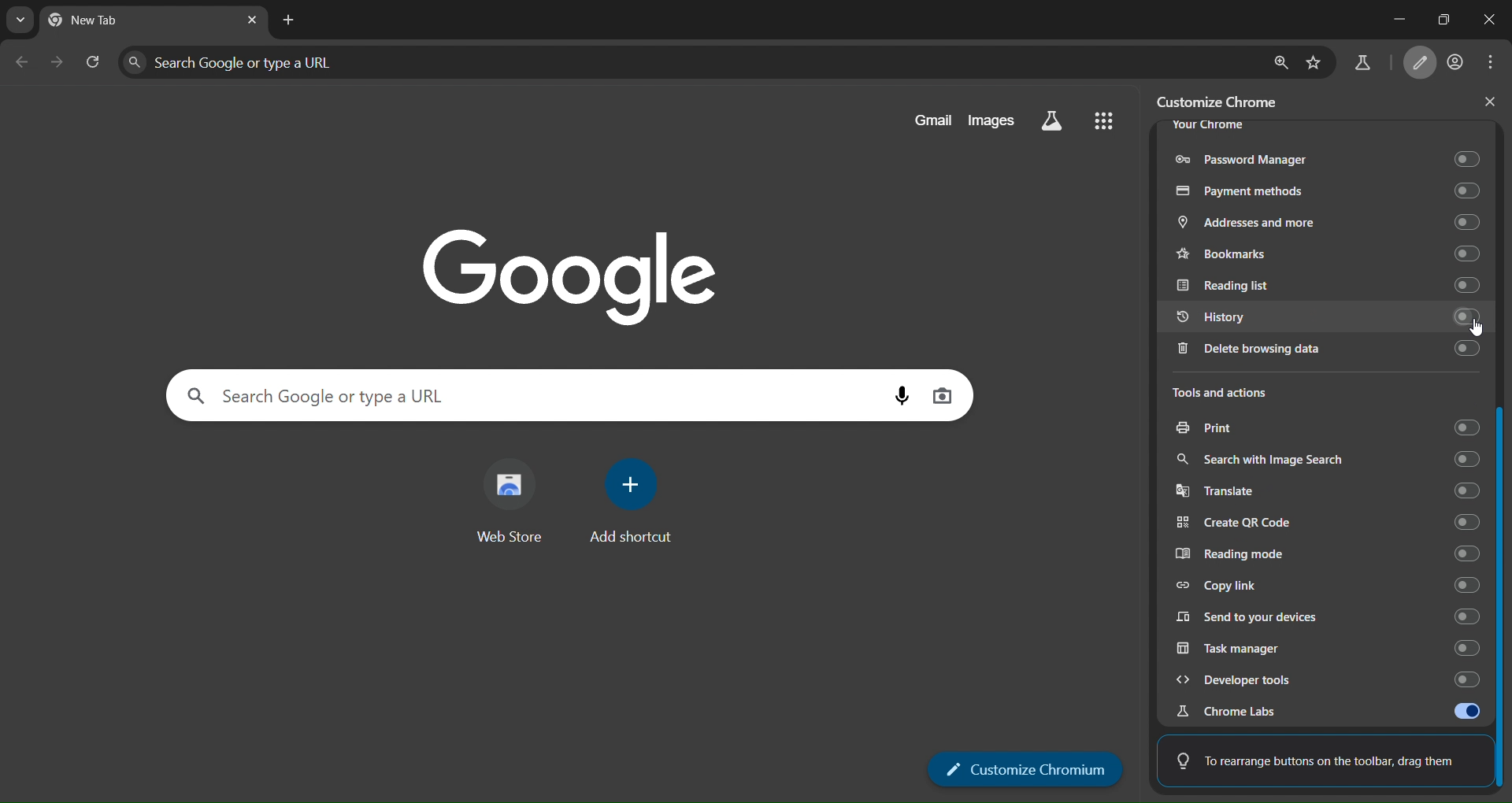  What do you see at coordinates (1331, 555) in the screenshot?
I see `reading mode` at bounding box center [1331, 555].